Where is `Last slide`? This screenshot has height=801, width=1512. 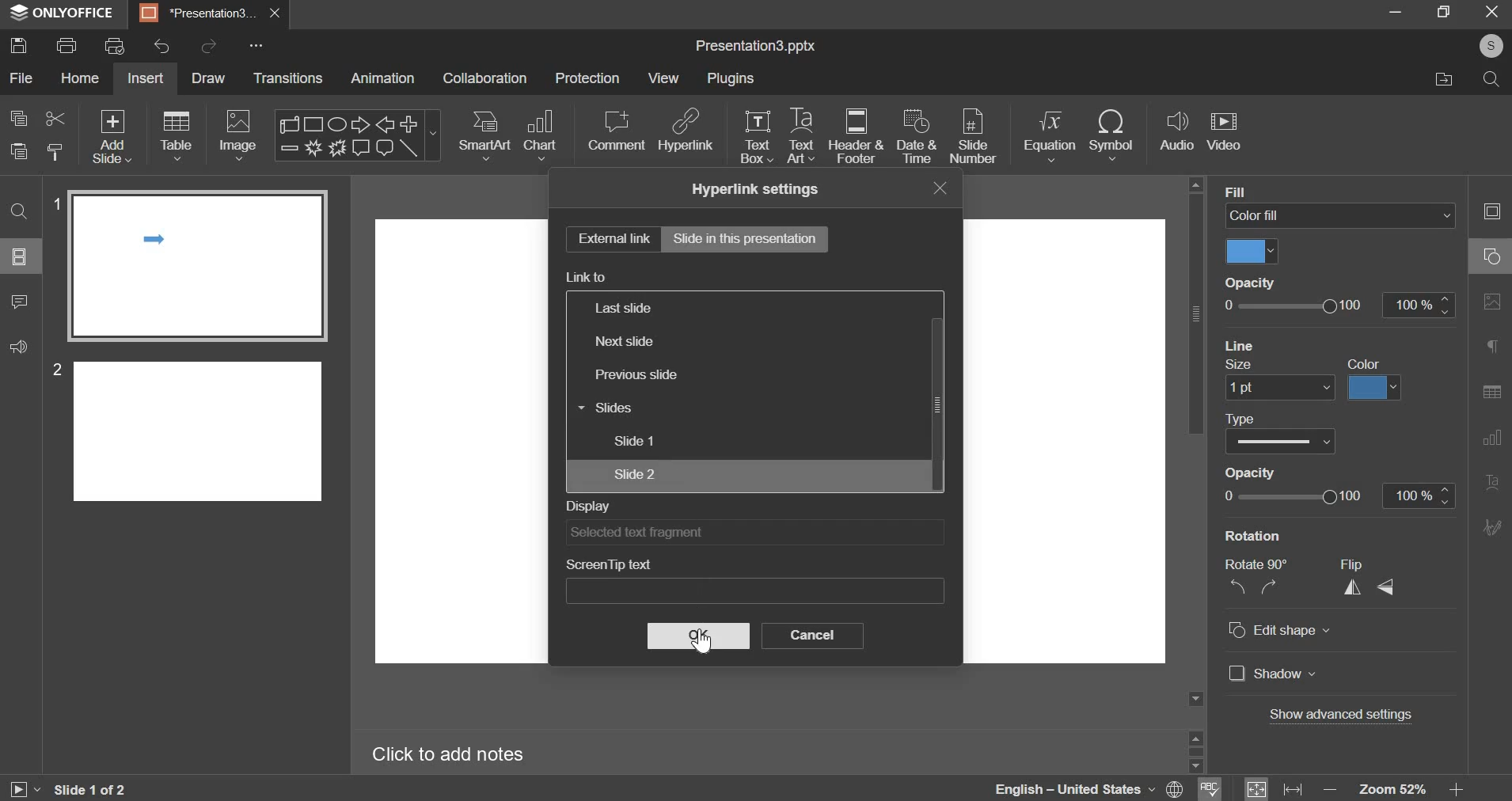 Last slide is located at coordinates (705, 307).